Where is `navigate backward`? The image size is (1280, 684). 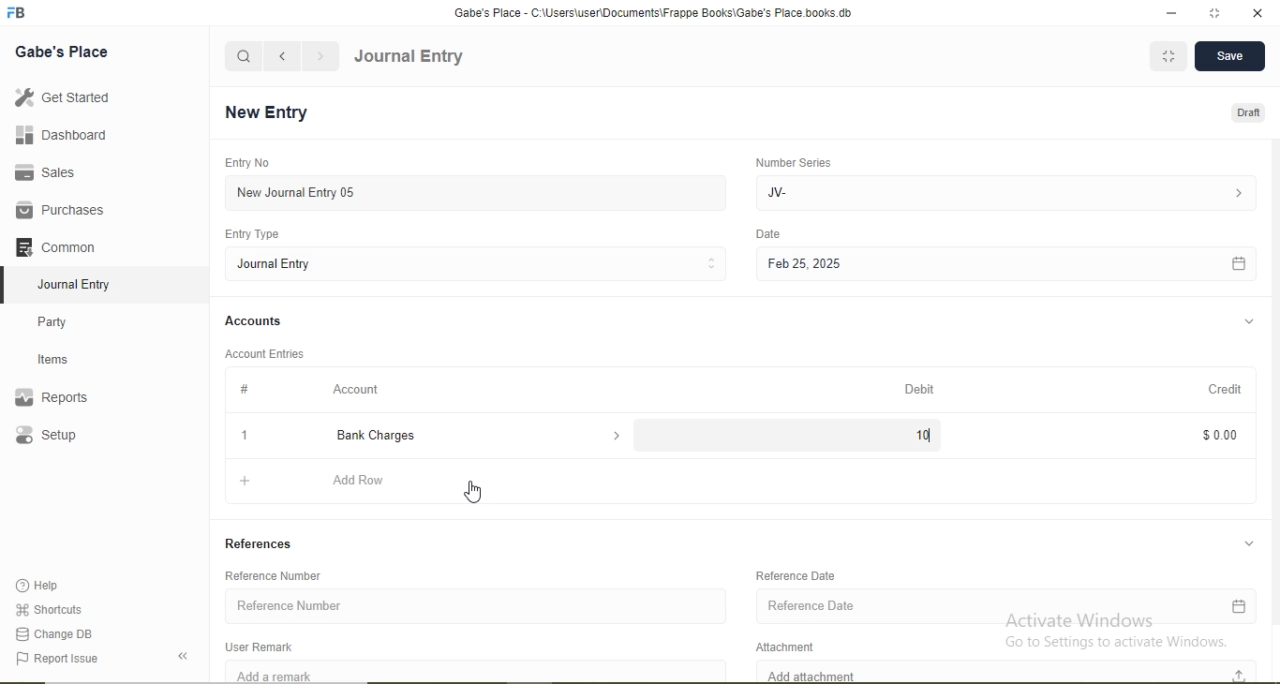
navigate backward is located at coordinates (281, 56).